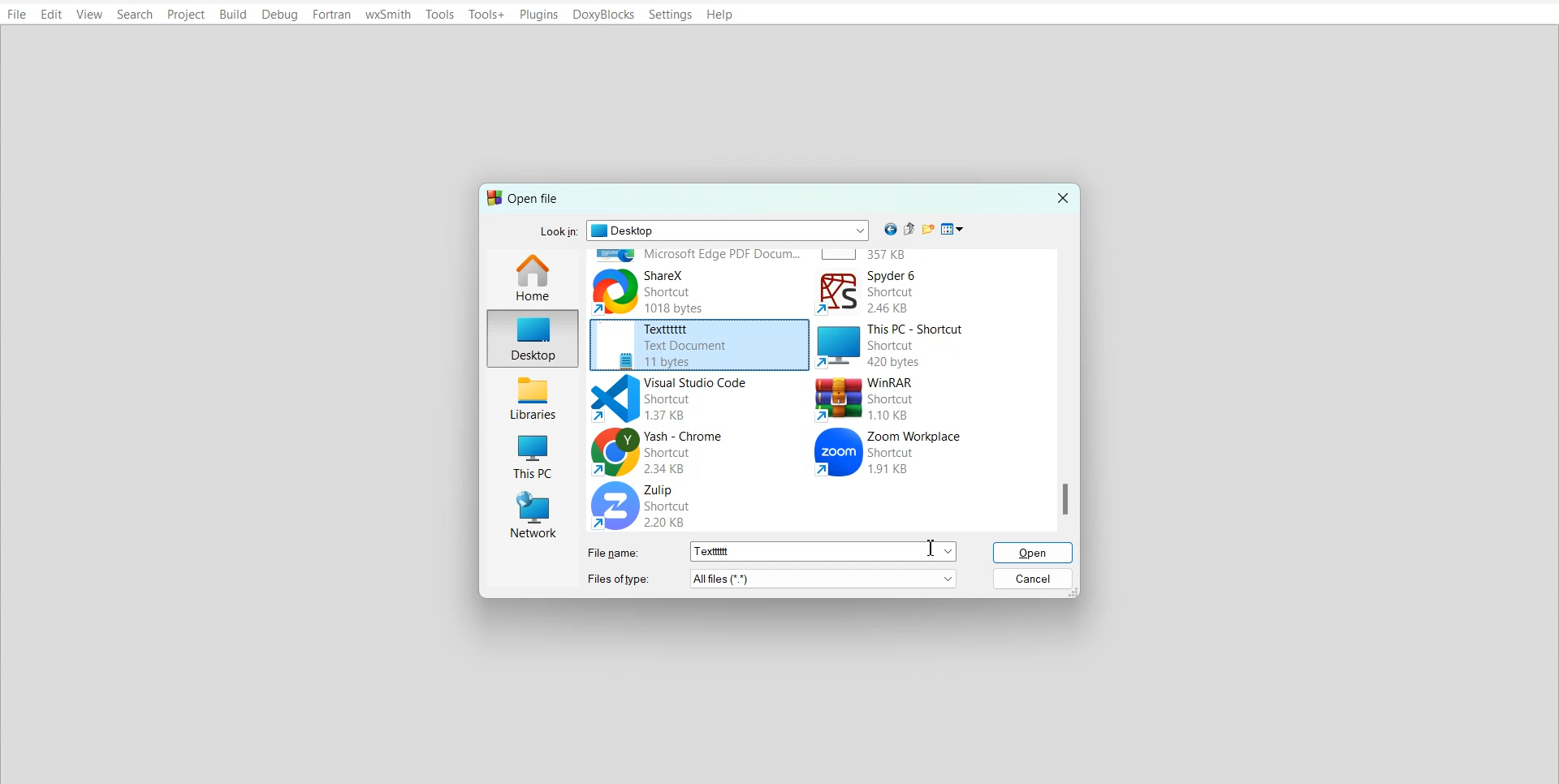 This screenshot has height=784, width=1559. I want to click on Visual studio code, so click(694, 399).